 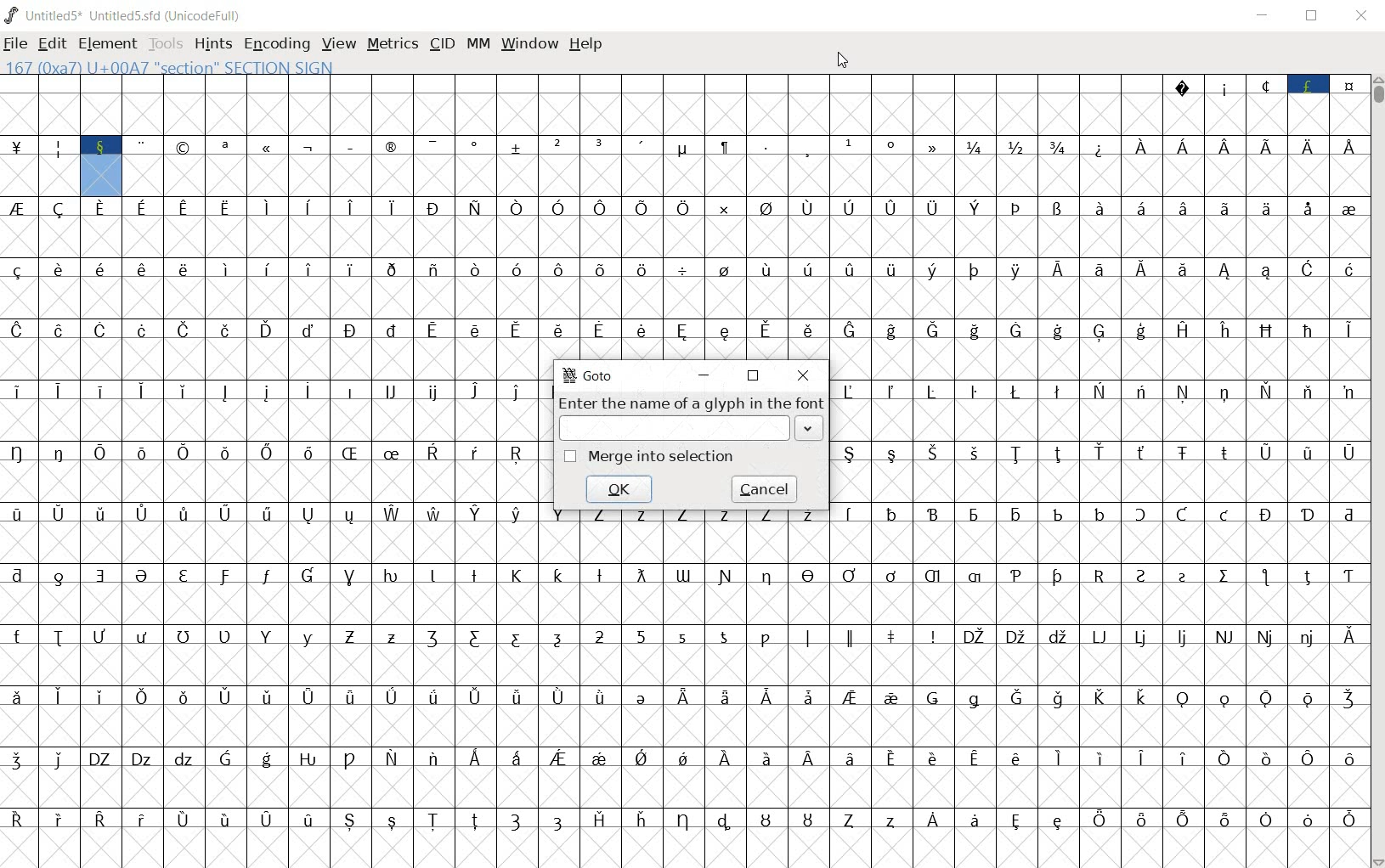 I want to click on symbol, so click(x=1346, y=228).